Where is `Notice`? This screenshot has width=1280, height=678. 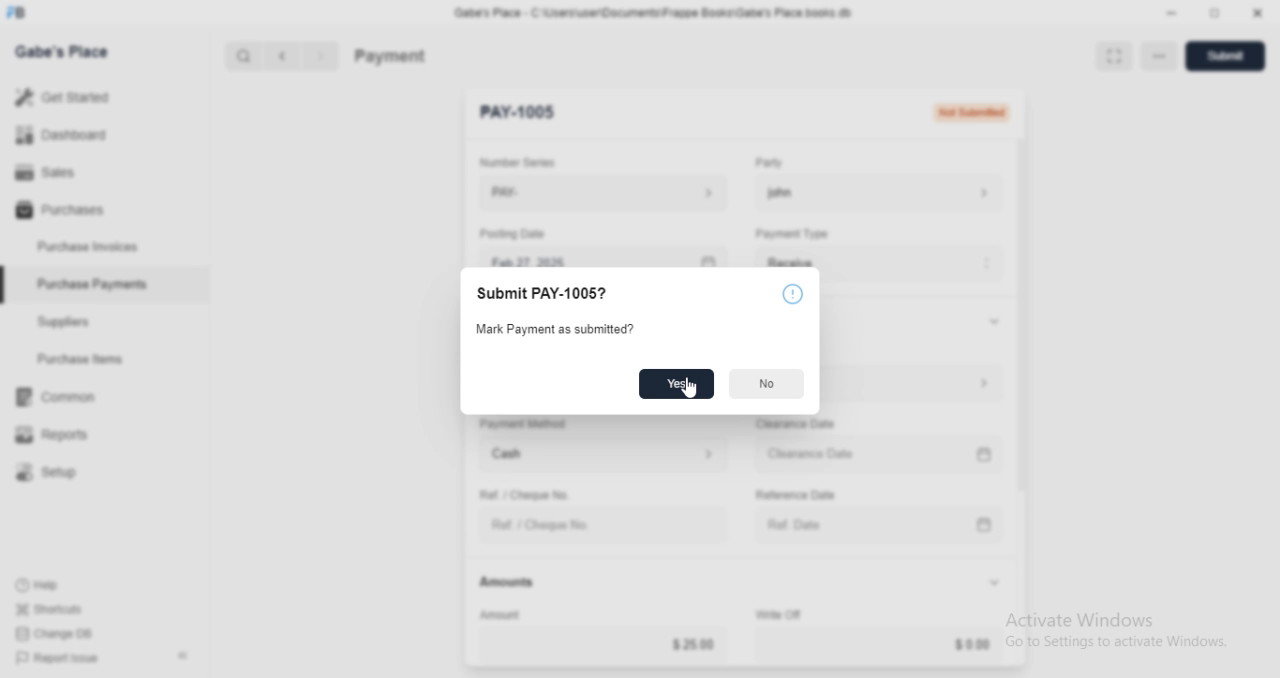 Notice is located at coordinates (791, 293).